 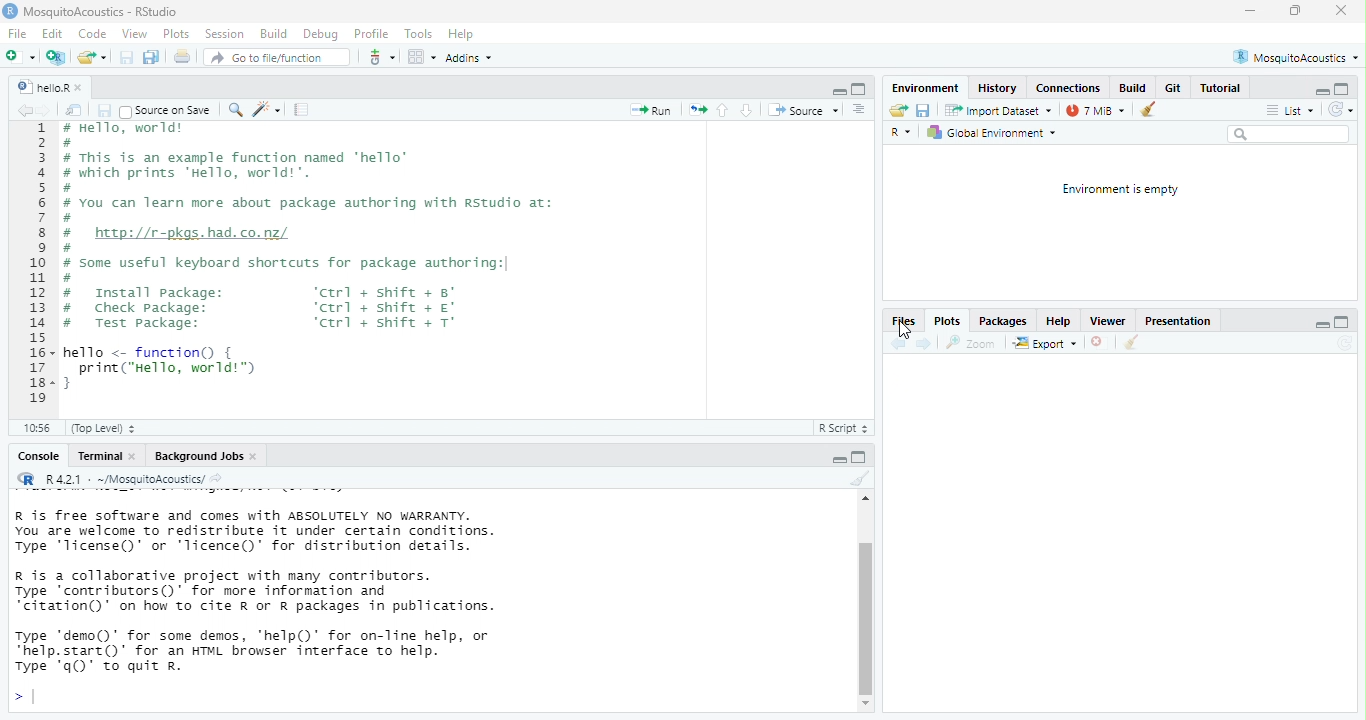 I want to click on Code, so click(x=91, y=34).